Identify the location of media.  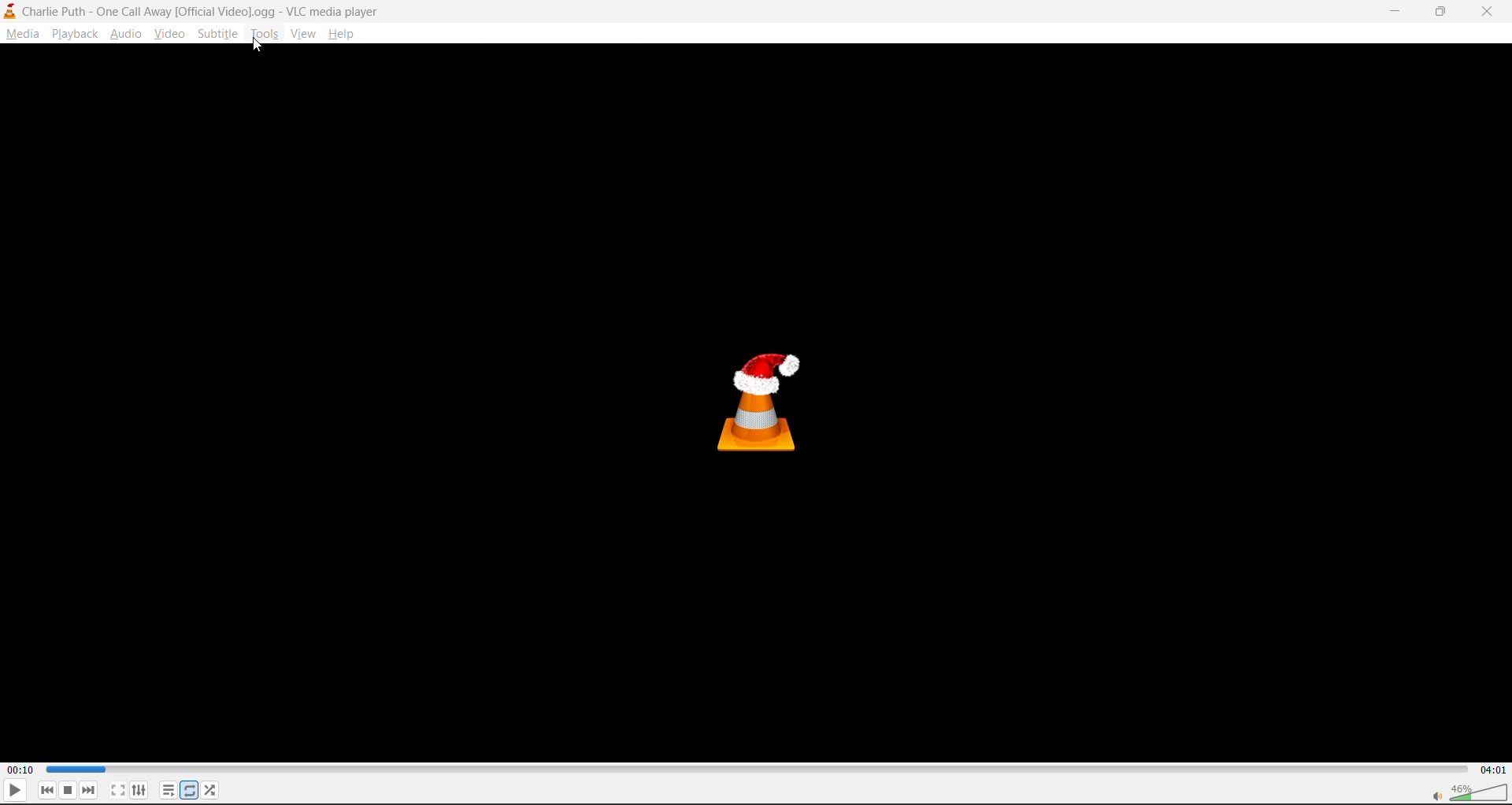
(20, 35).